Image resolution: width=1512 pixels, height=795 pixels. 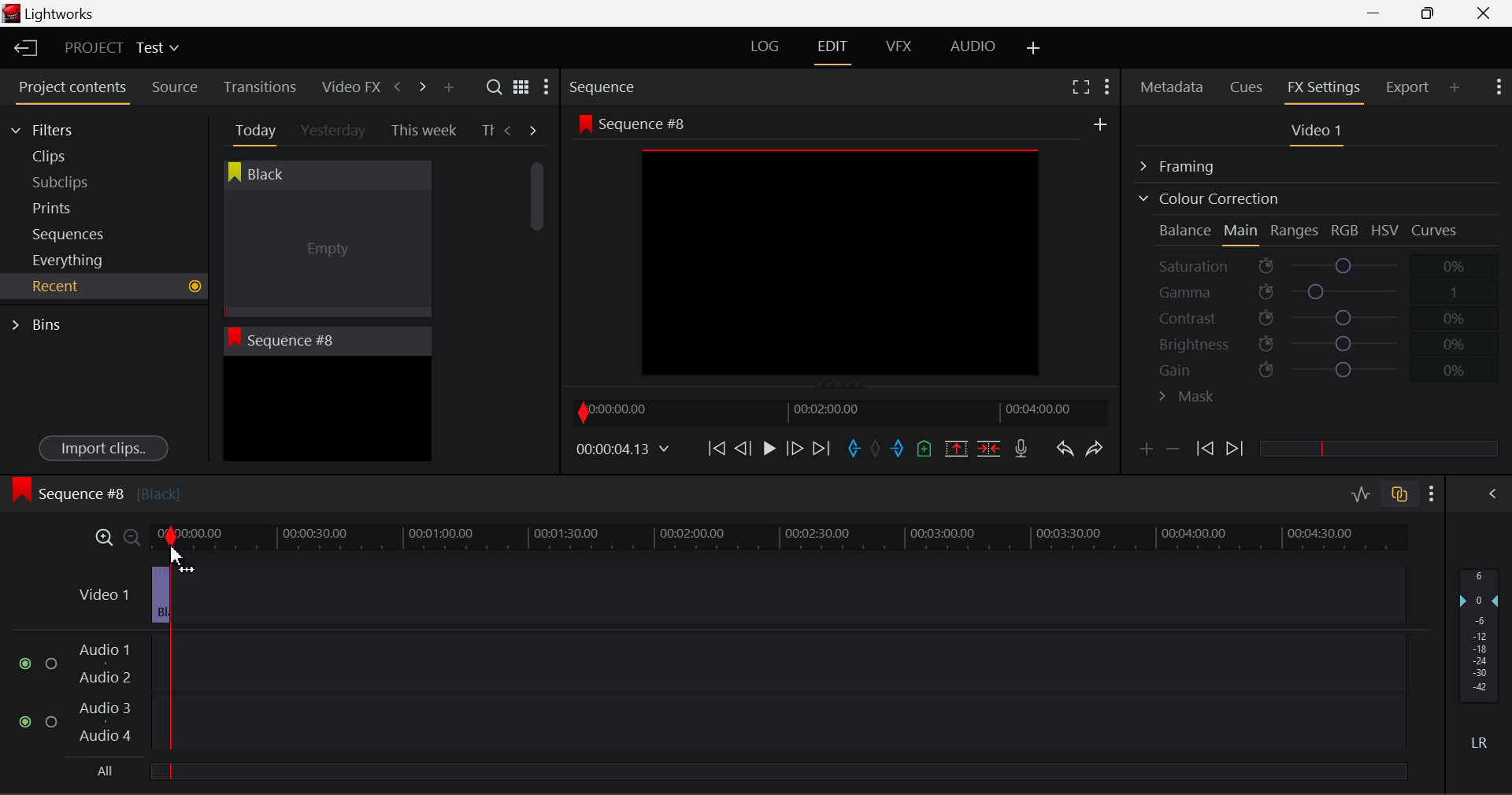 I want to click on Previous Tab, so click(x=510, y=130).